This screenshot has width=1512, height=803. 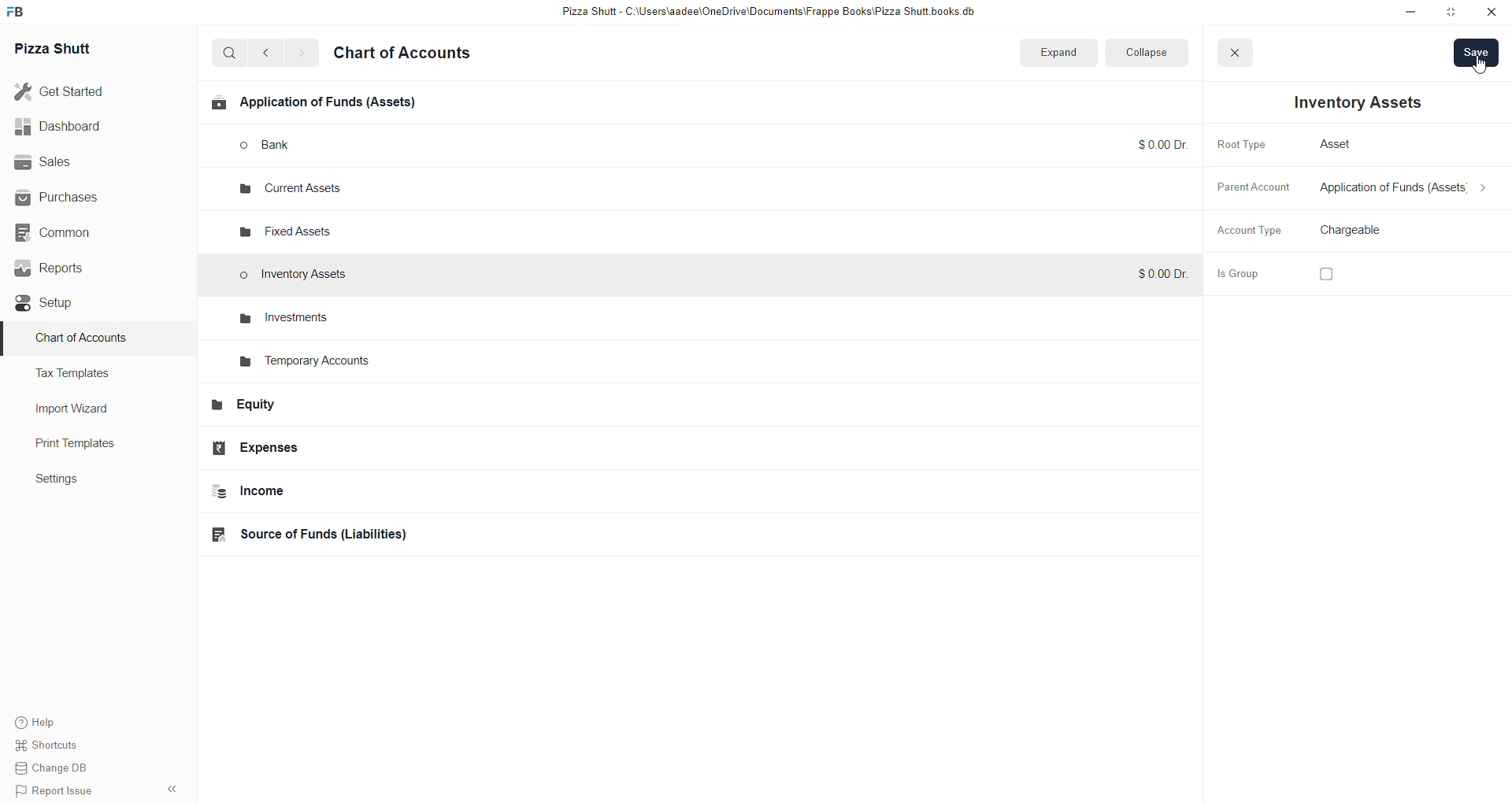 I want to click on search, so click(x=230, y=54).